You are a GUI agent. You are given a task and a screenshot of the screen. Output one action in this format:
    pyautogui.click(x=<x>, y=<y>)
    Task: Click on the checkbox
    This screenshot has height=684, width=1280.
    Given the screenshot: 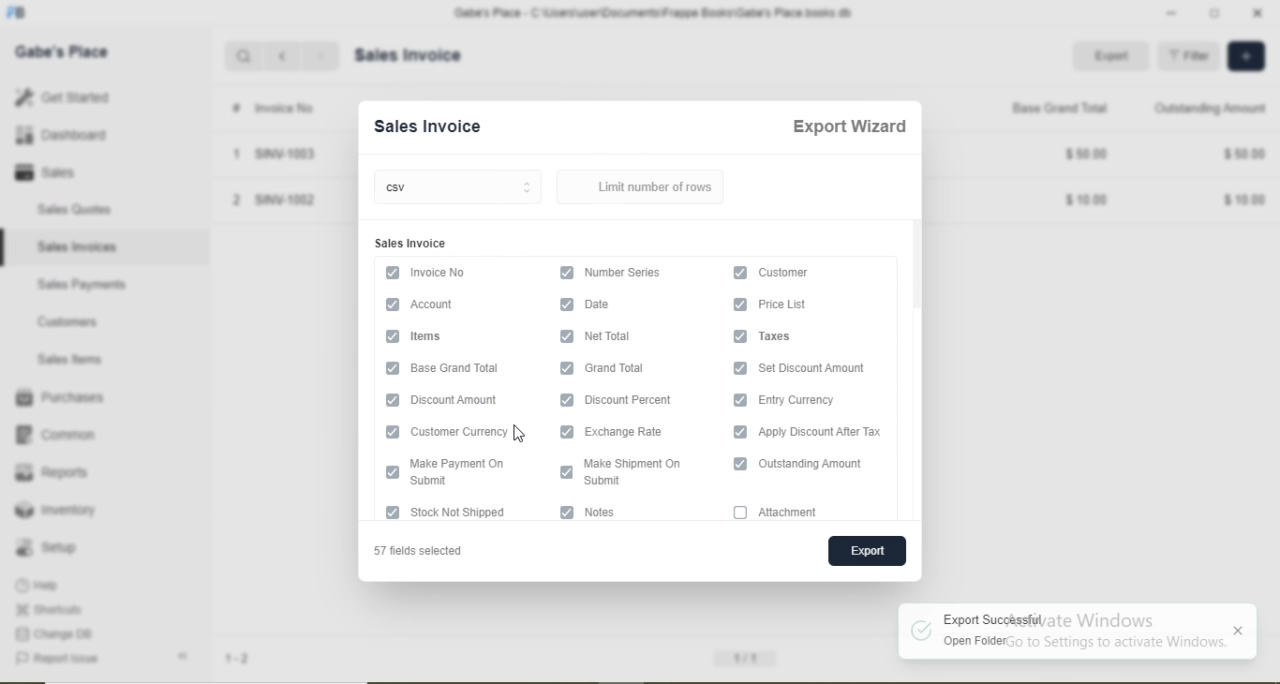 What is the action you would take?
    pyautogui.click(x=390, y=513)
    